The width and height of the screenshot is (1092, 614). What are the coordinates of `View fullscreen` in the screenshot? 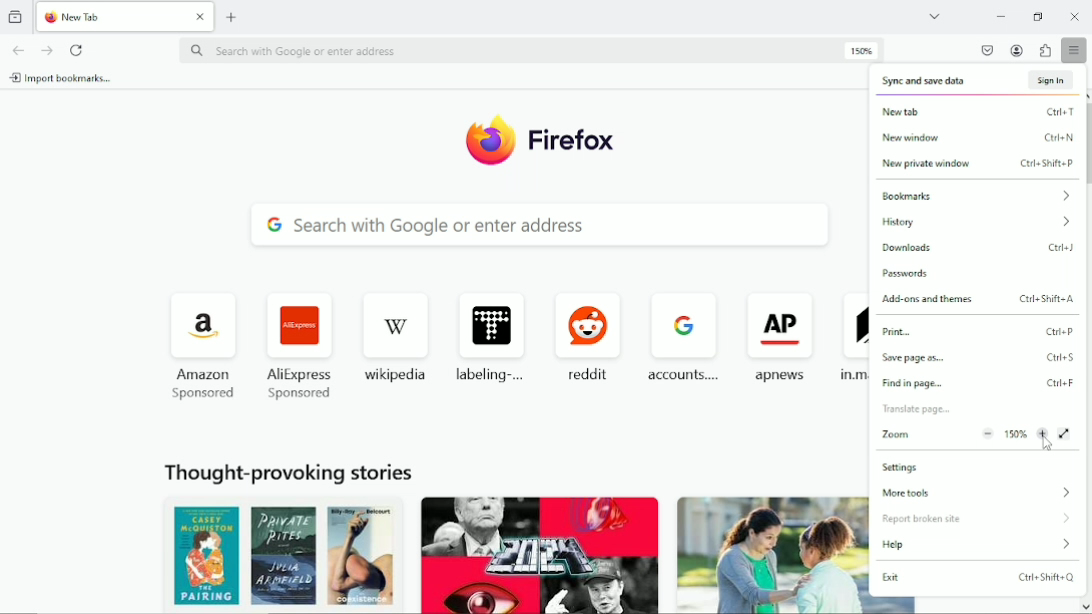 It's located at (1066, 433).